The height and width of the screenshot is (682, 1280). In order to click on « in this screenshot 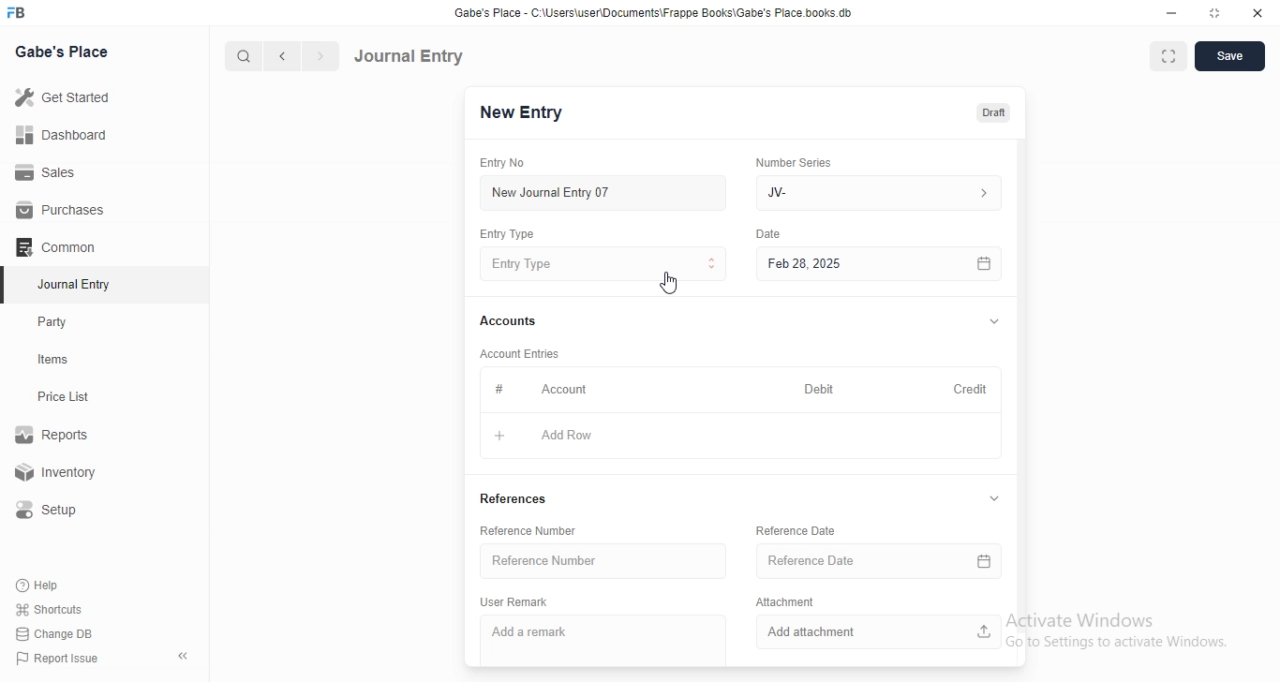, I will do `click(185, 657)`.